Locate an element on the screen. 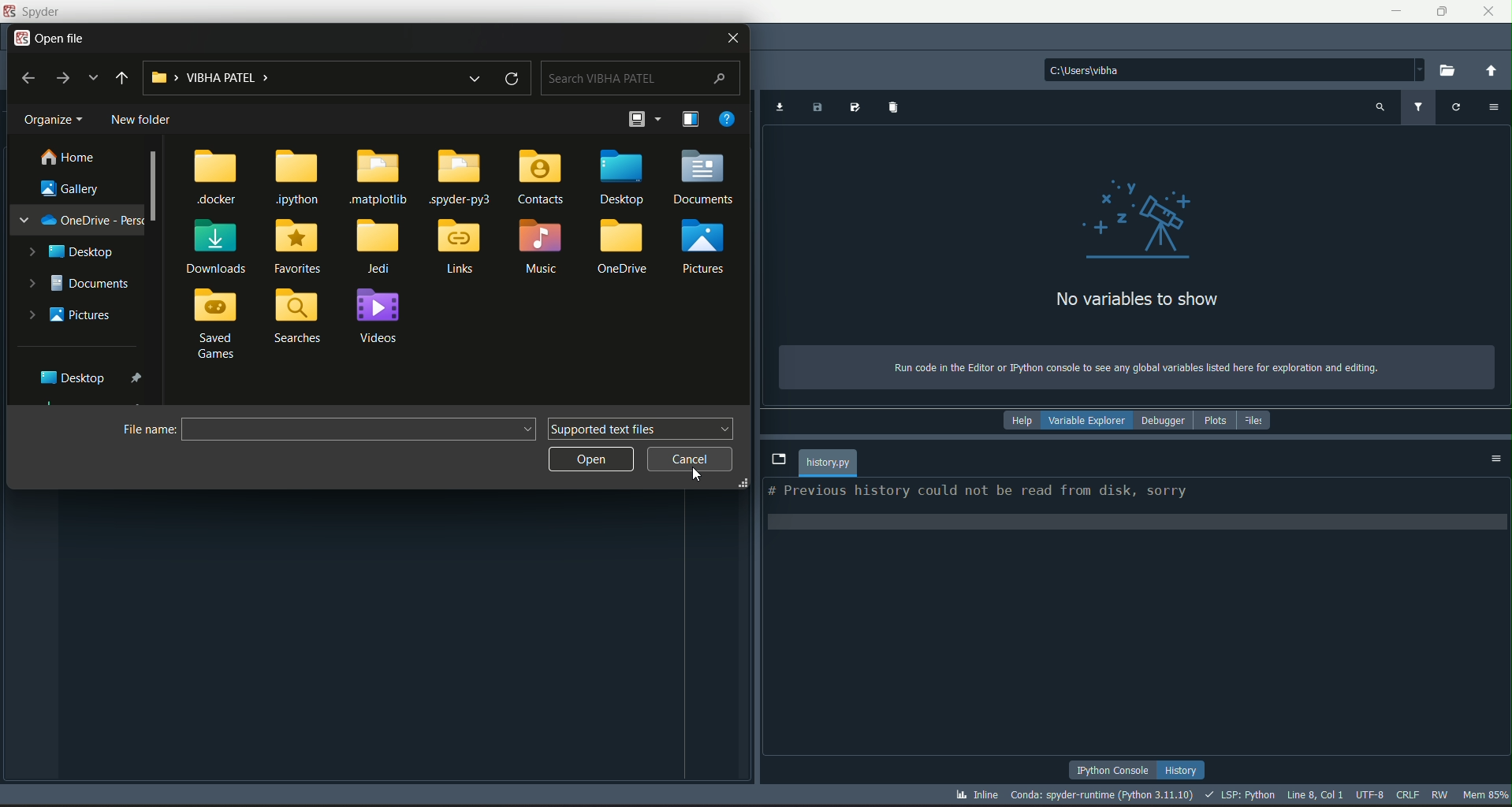 The image size is (1512, 807). stats is located at coordinates (1231, 796).